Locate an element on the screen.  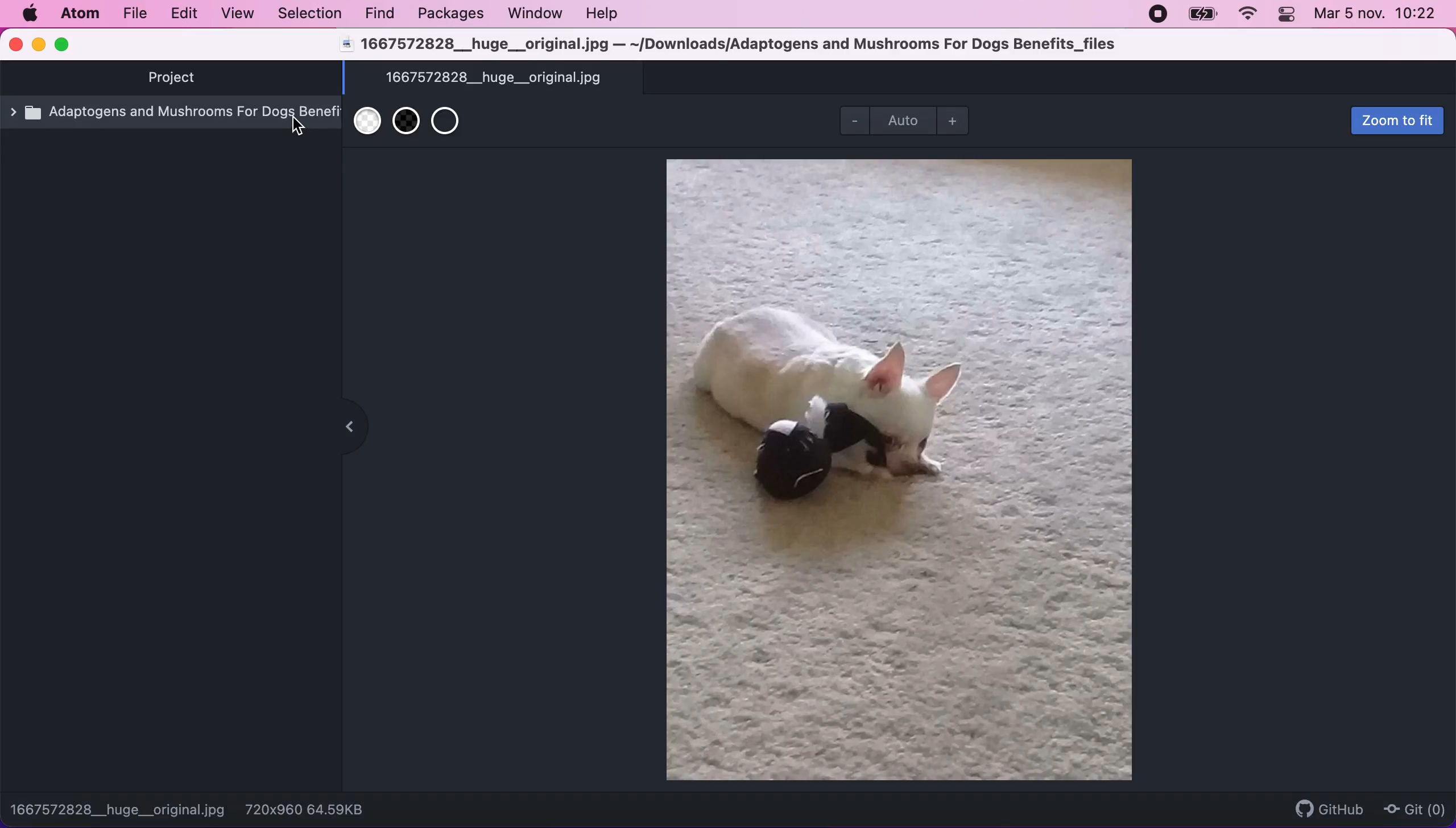
minimize is located at coordinates (38, 46).